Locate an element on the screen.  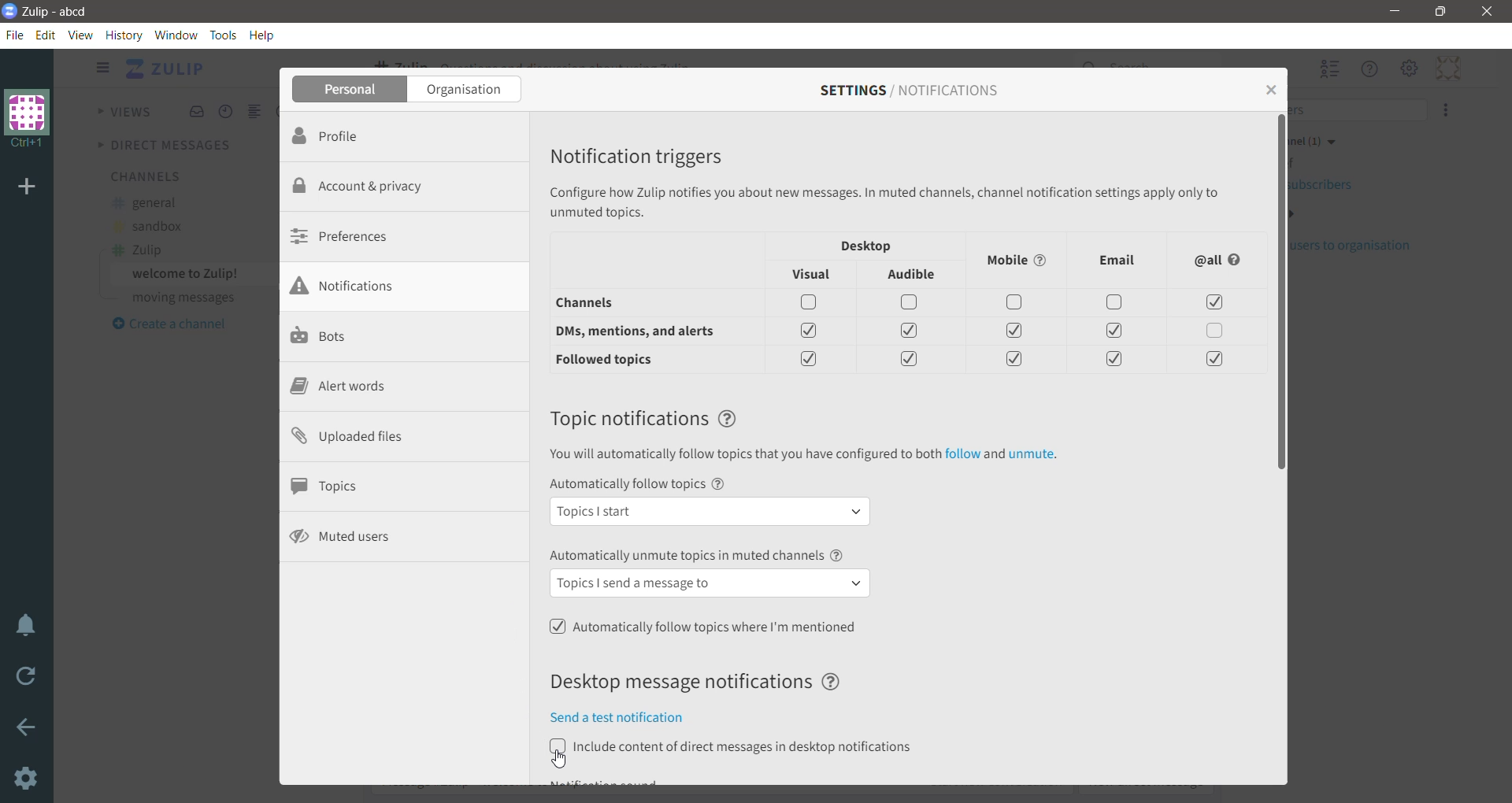
File is located at coordinates (18, 35).